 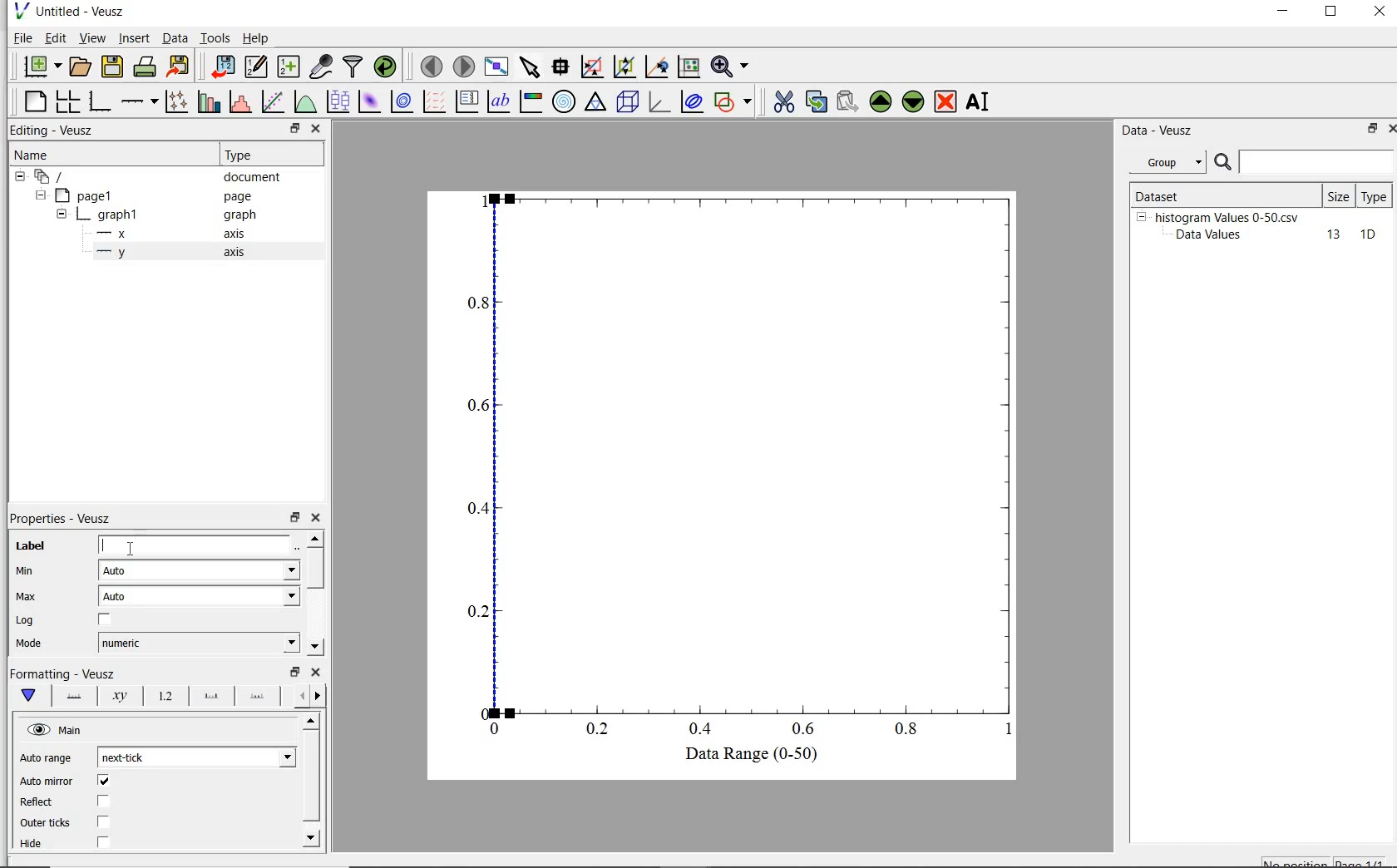 I want to click on Auto, so click(x=199, y=570).